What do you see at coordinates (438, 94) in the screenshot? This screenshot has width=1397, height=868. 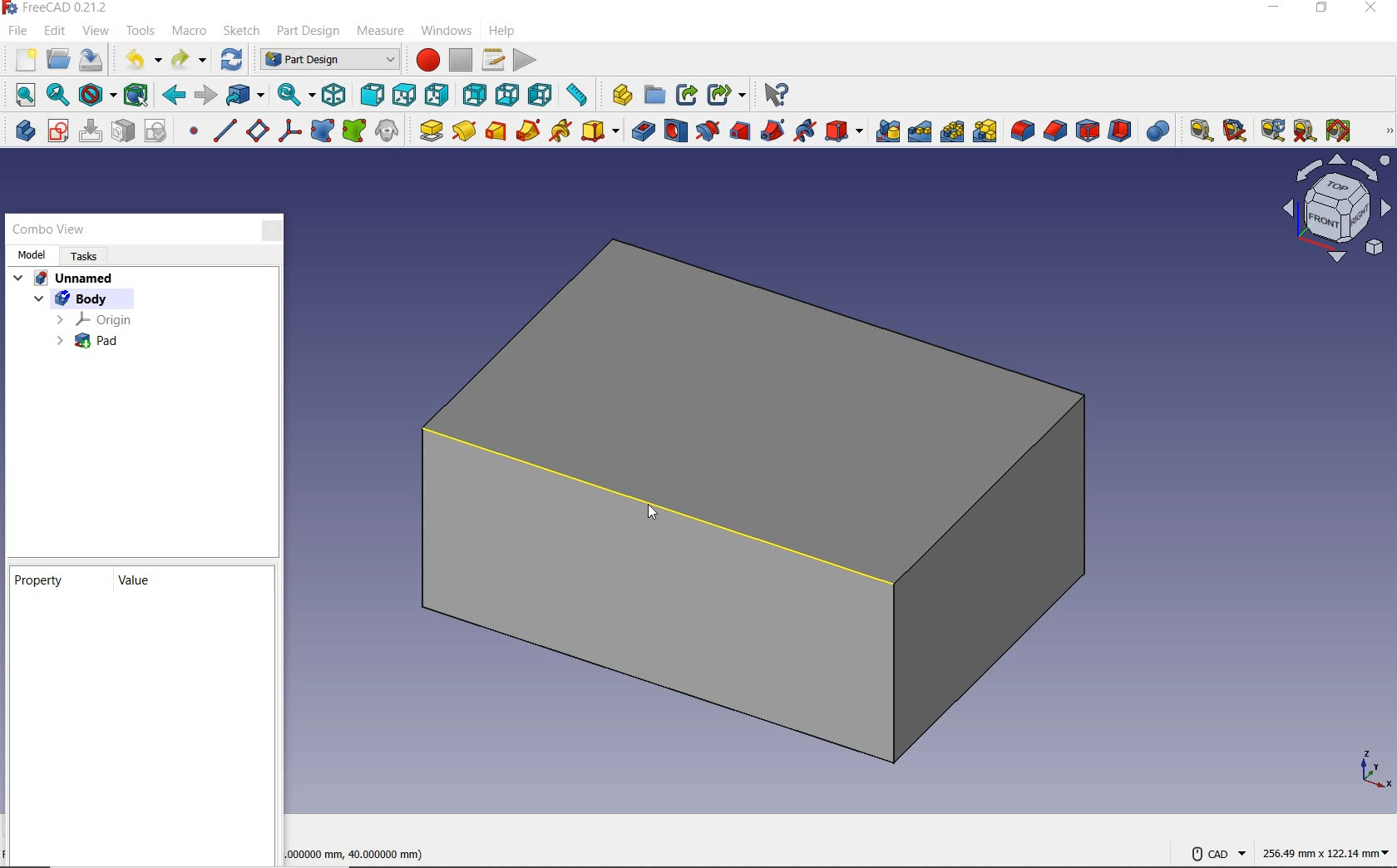 I see `right` at bounding box center [438, 94].